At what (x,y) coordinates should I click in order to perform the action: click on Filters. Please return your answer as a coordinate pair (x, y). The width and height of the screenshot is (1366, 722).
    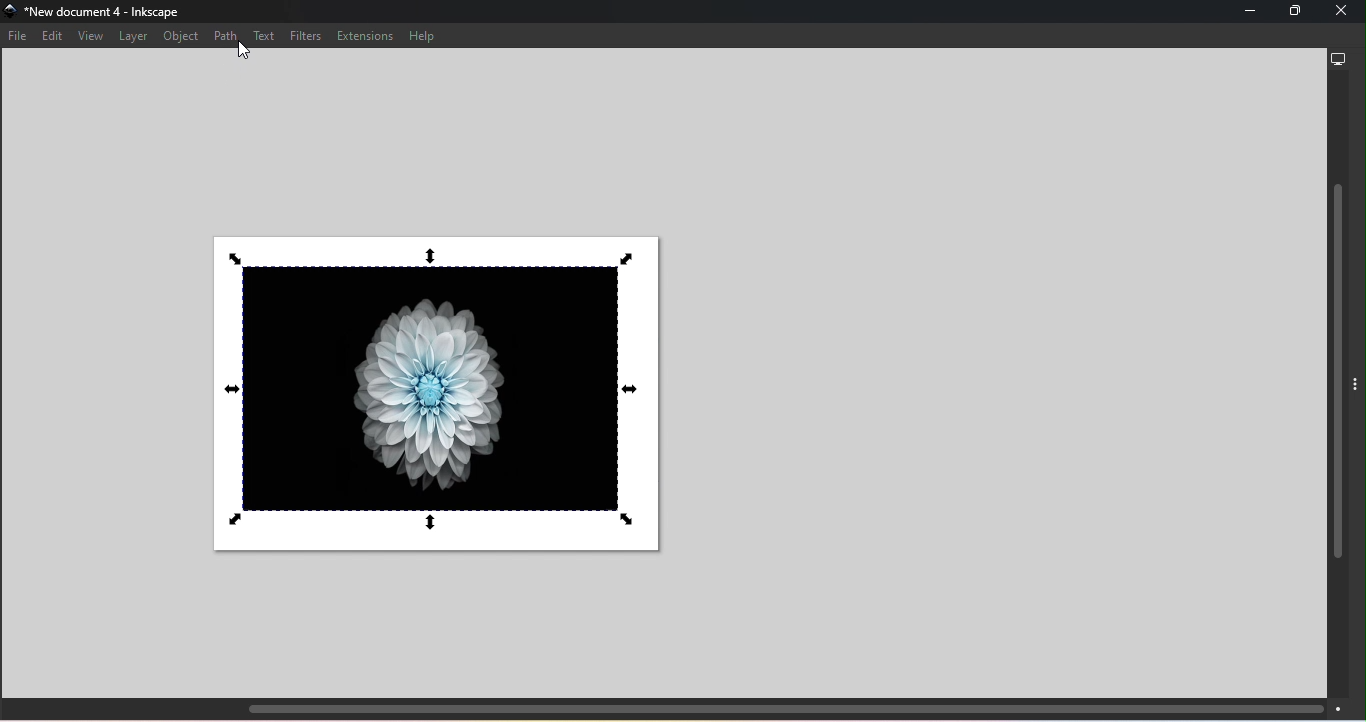
    Looking at the image, I should click on (304, 35).